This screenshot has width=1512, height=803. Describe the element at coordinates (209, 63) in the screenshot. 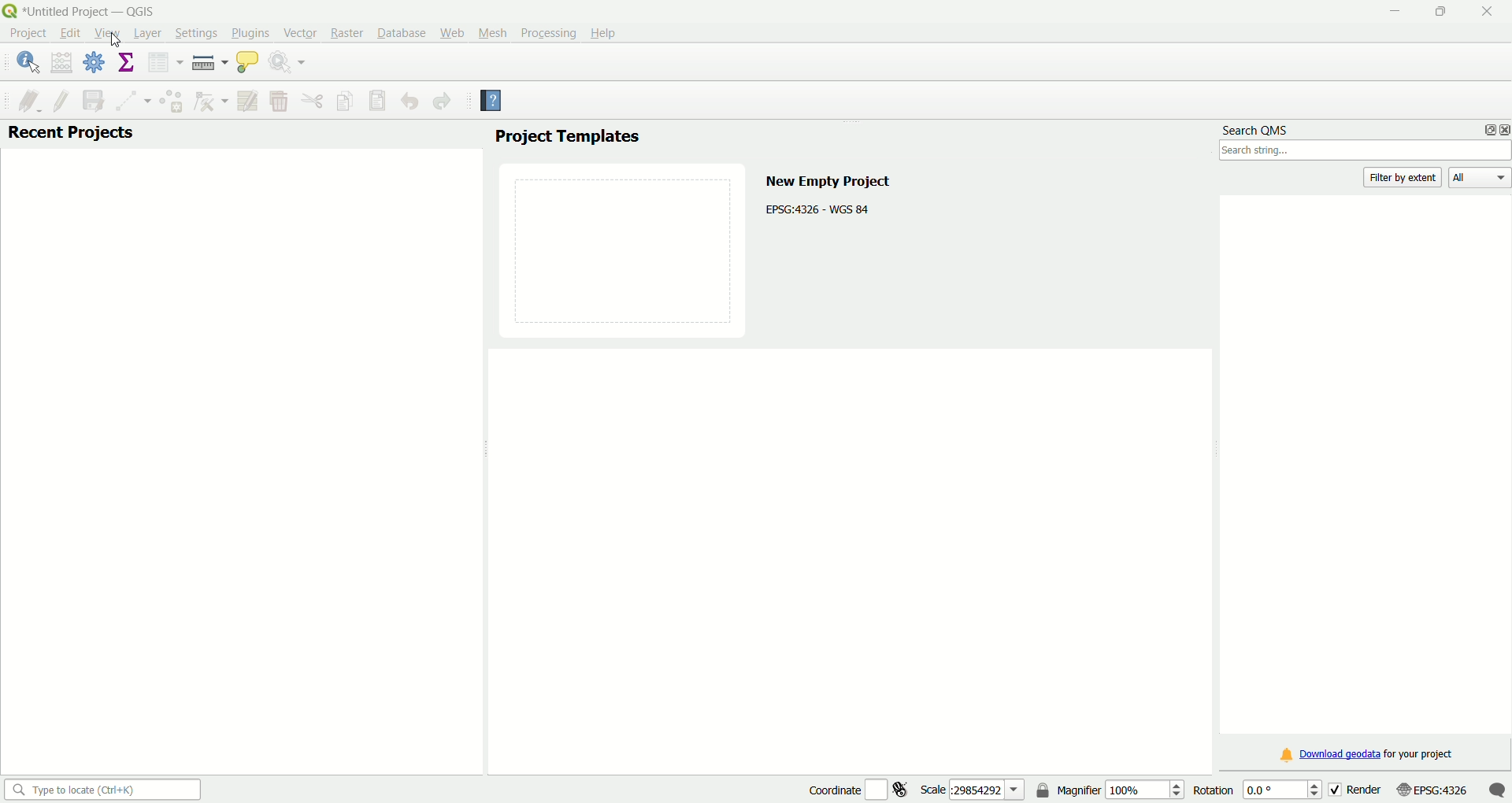

I see `measure line` at that location.